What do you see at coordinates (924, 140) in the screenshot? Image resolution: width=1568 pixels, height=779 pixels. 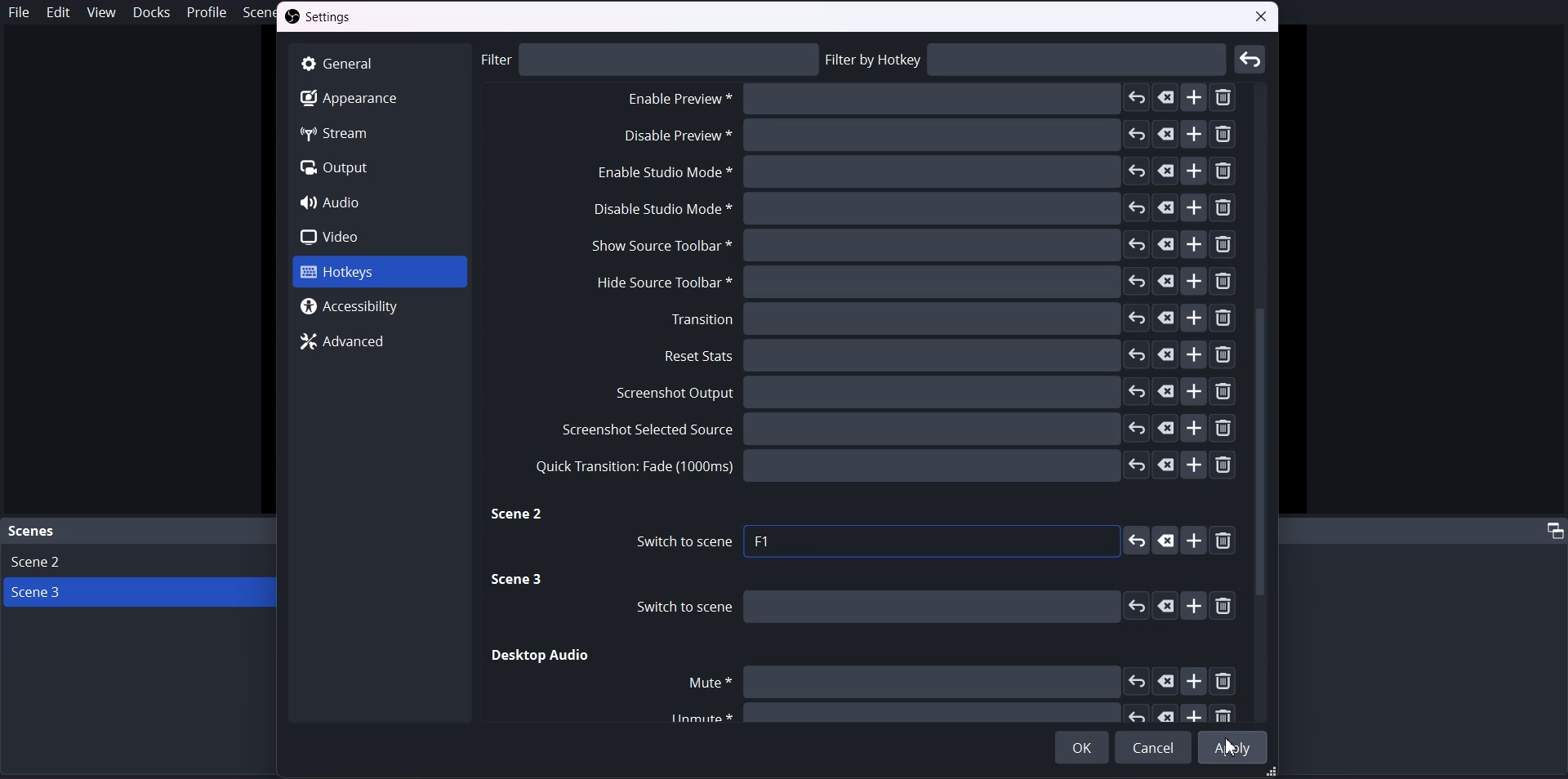 I see `Enable Preview` at bounding box center [924, 140].